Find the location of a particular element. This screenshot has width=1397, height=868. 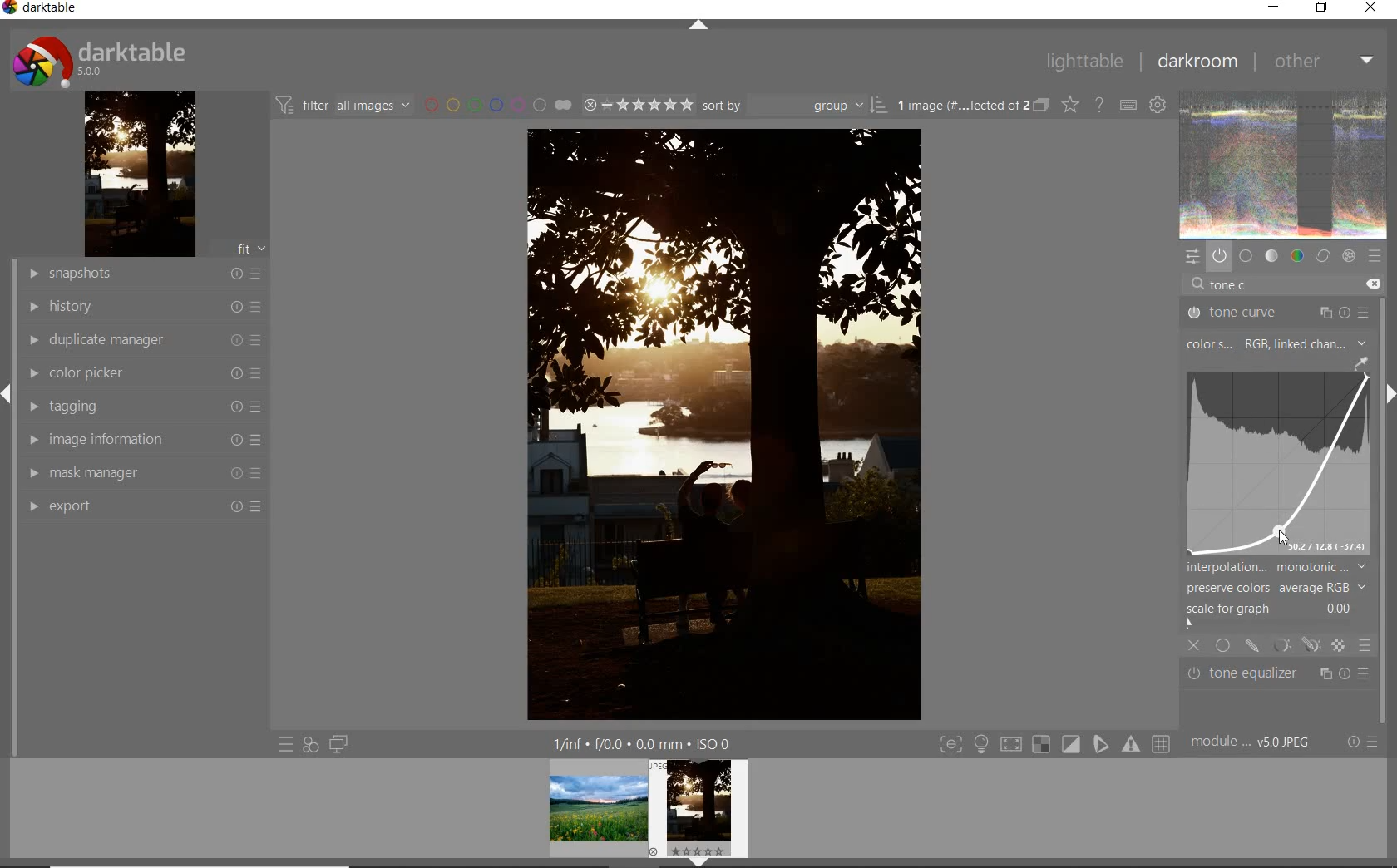

export is located at coordinates (142, 508).